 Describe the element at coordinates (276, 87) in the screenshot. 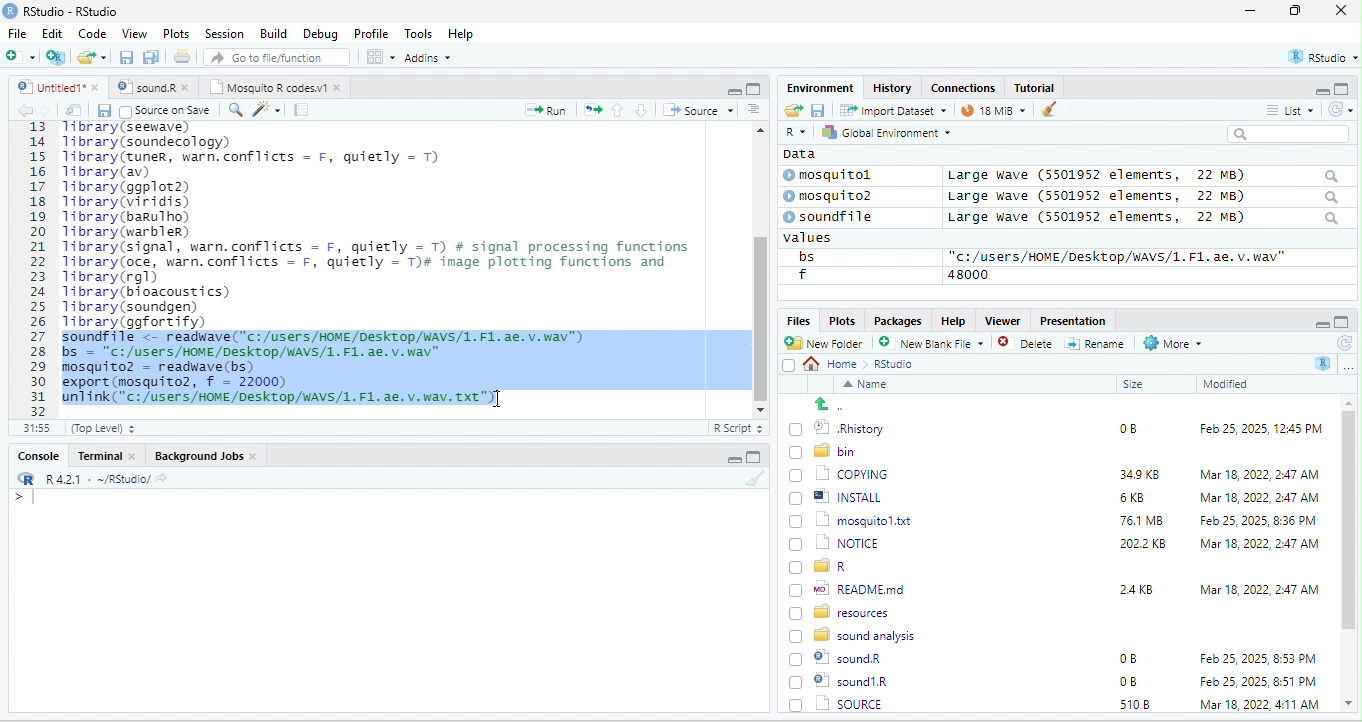

I see `Mosquito R codes.v1` at that location.